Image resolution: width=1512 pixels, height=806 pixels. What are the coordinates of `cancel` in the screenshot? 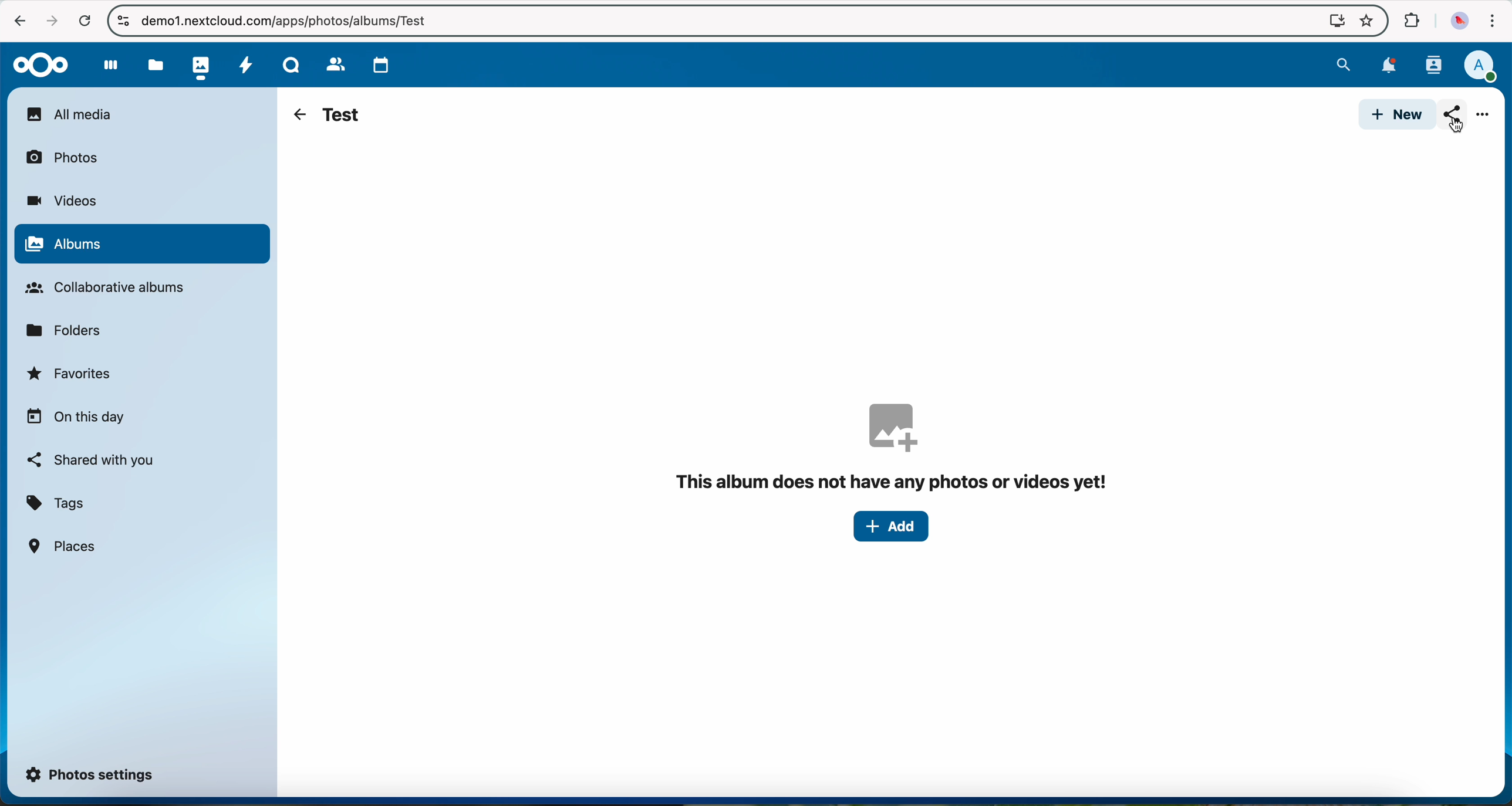 It's located at (85, 22).